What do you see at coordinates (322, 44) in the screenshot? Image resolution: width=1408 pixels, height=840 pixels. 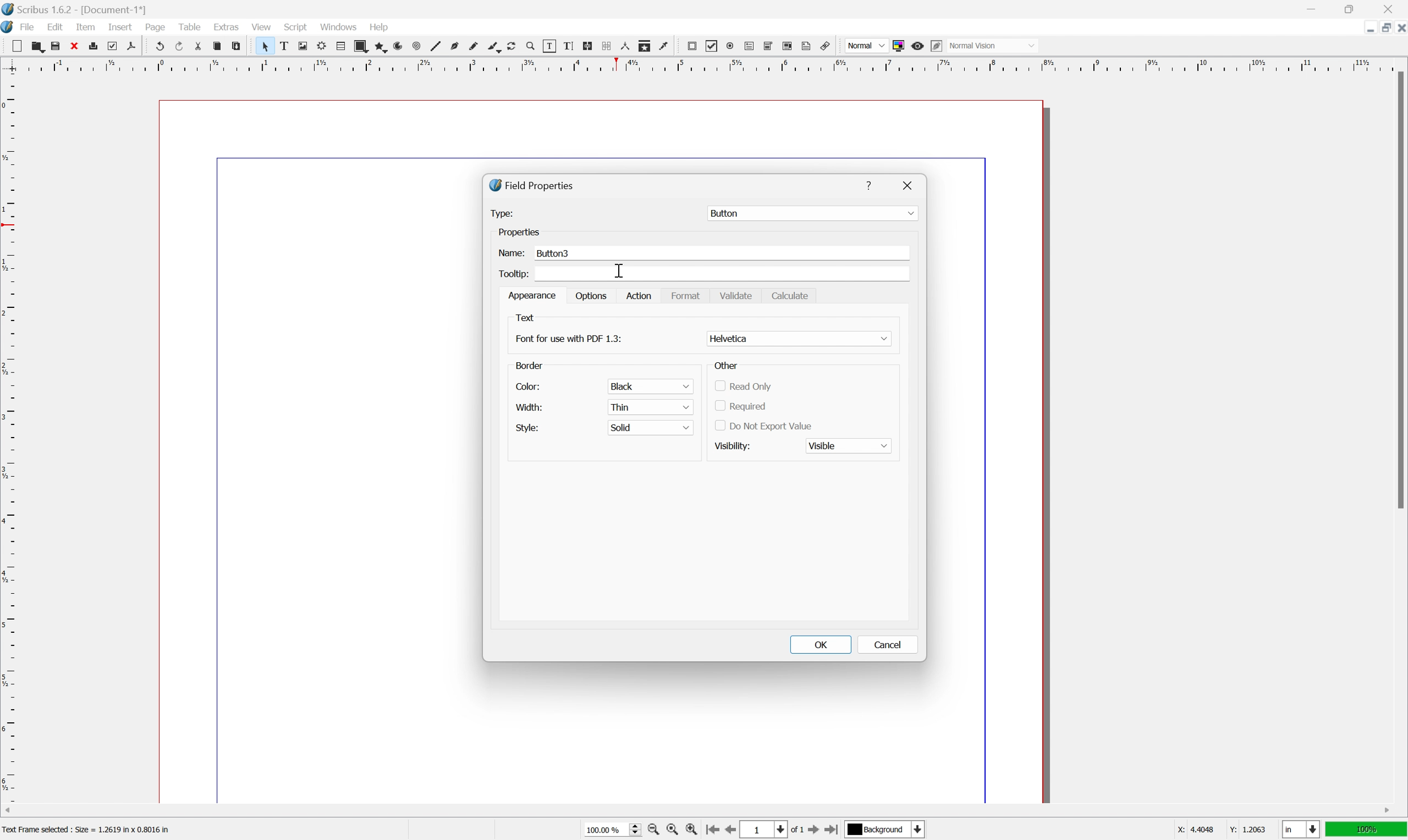 I see `render frame` at bounding box center [322, 44].